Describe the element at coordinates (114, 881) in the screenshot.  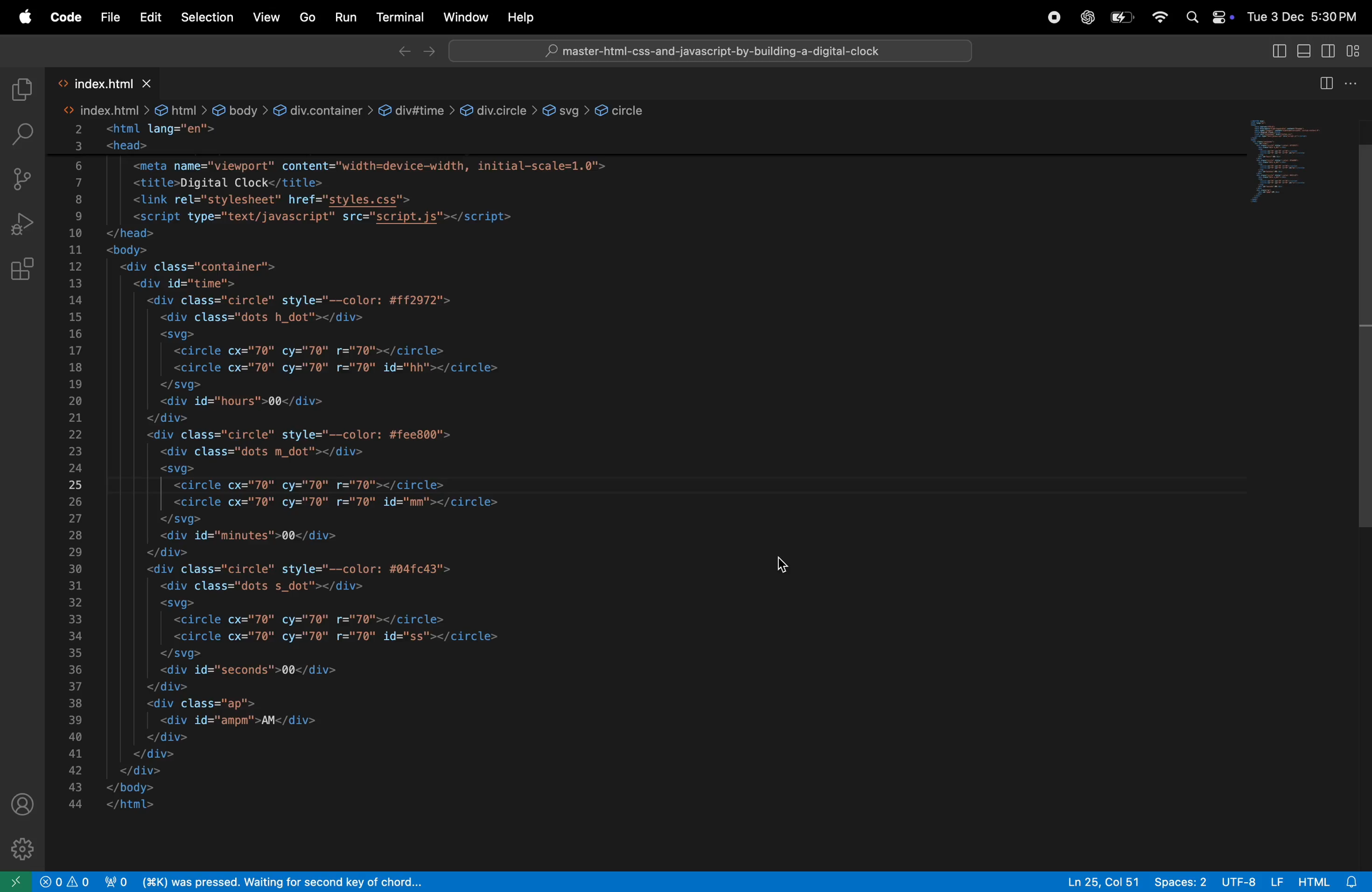
I see `no active ports` at that location.